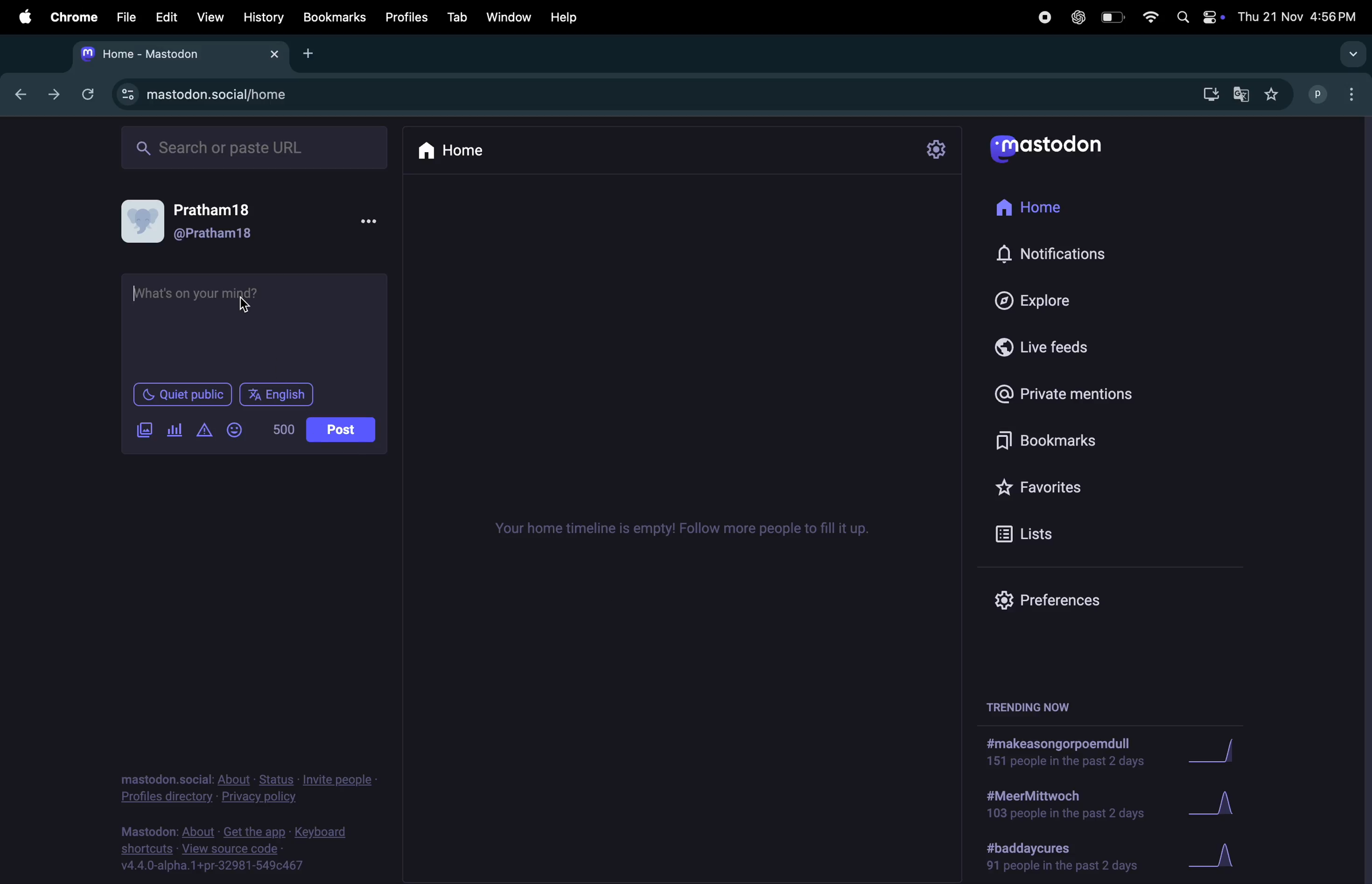 This screenshot has width=1372, height=884. Describe the element at coordinates (1030, 707) in the screenshot. I see `treding now` at that location.